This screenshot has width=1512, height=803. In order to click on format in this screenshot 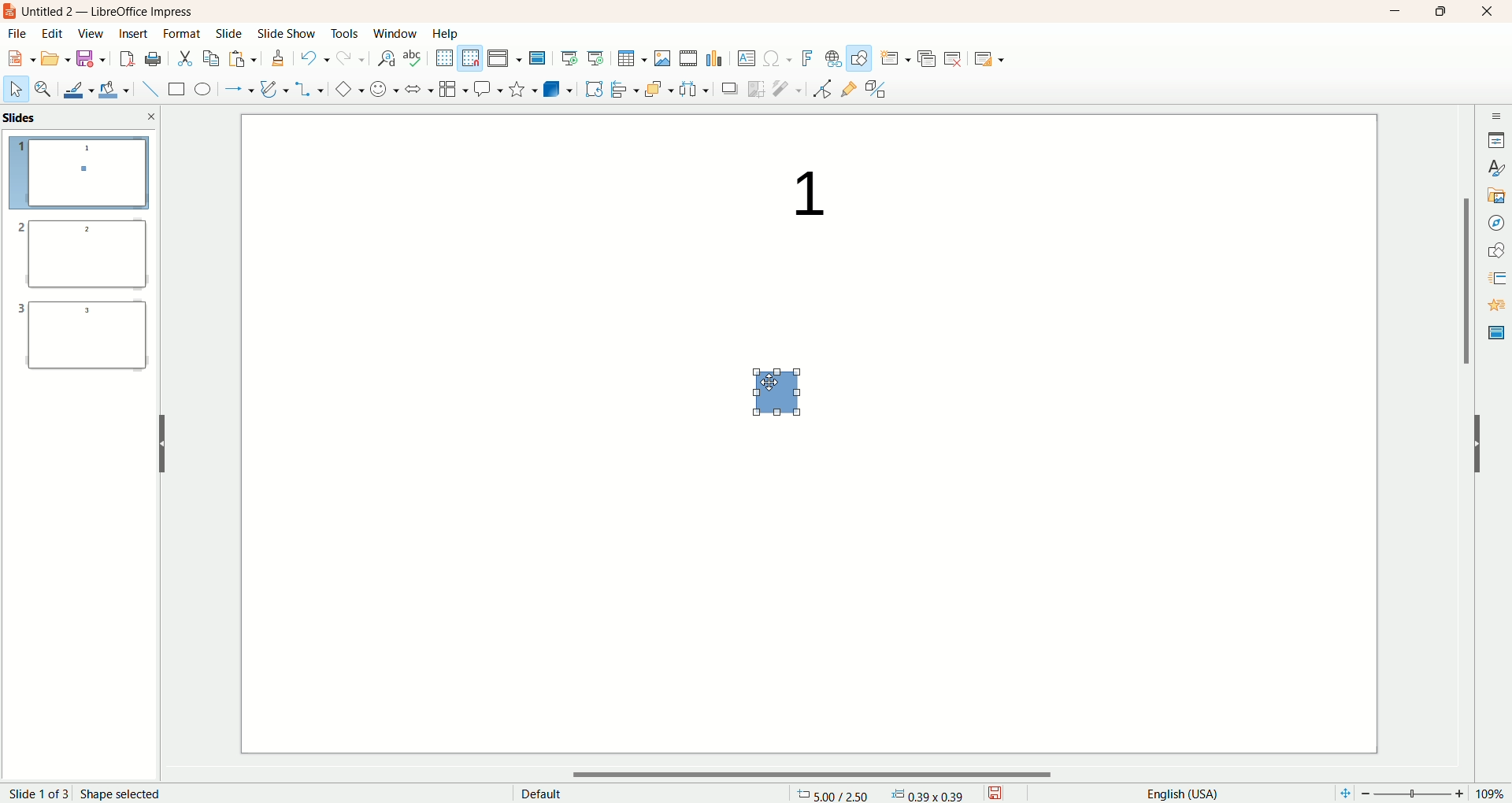, I will do `click(183, 32)`.